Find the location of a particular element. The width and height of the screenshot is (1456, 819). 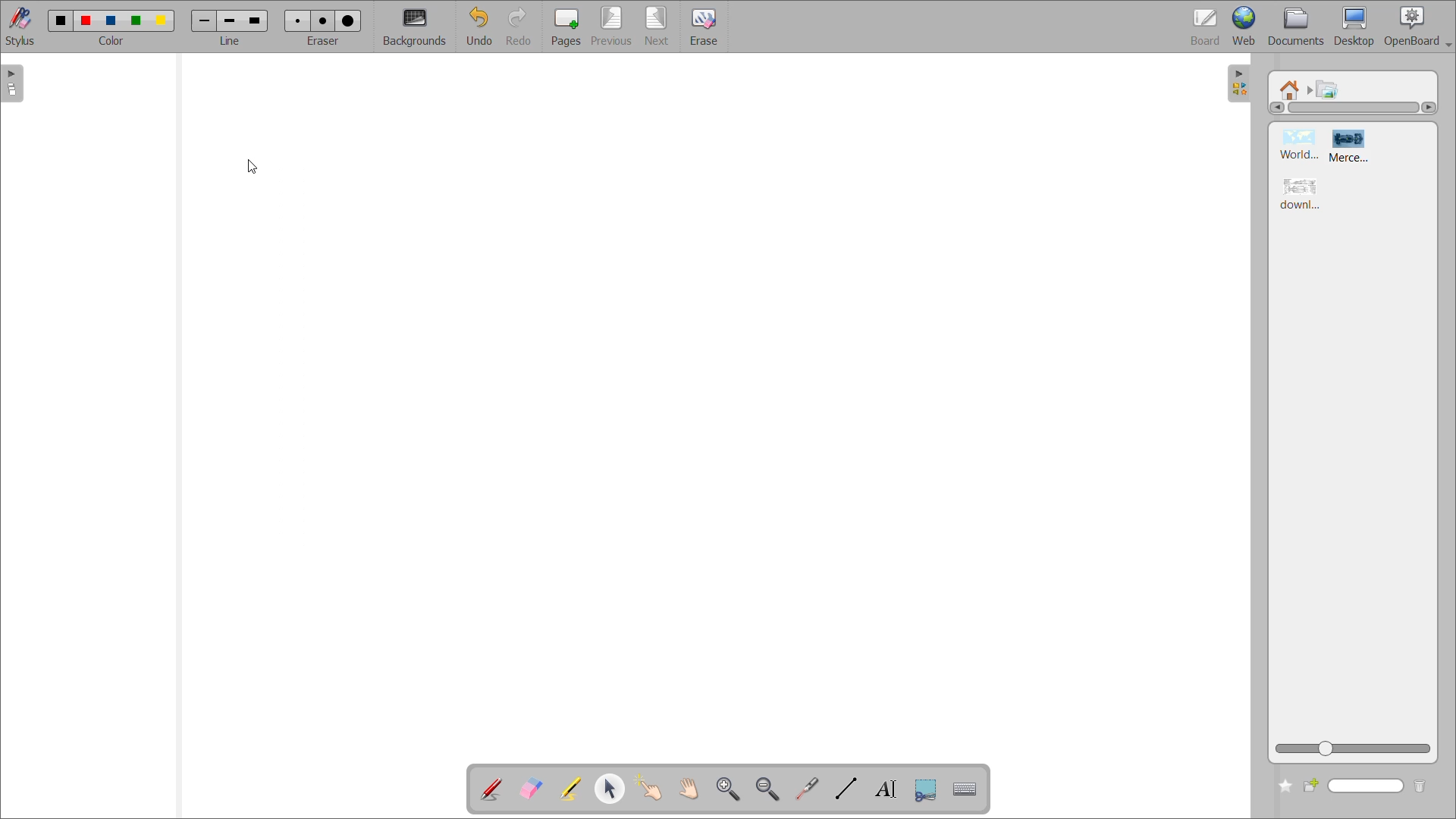

eraser is located at coordinates (323, 45).